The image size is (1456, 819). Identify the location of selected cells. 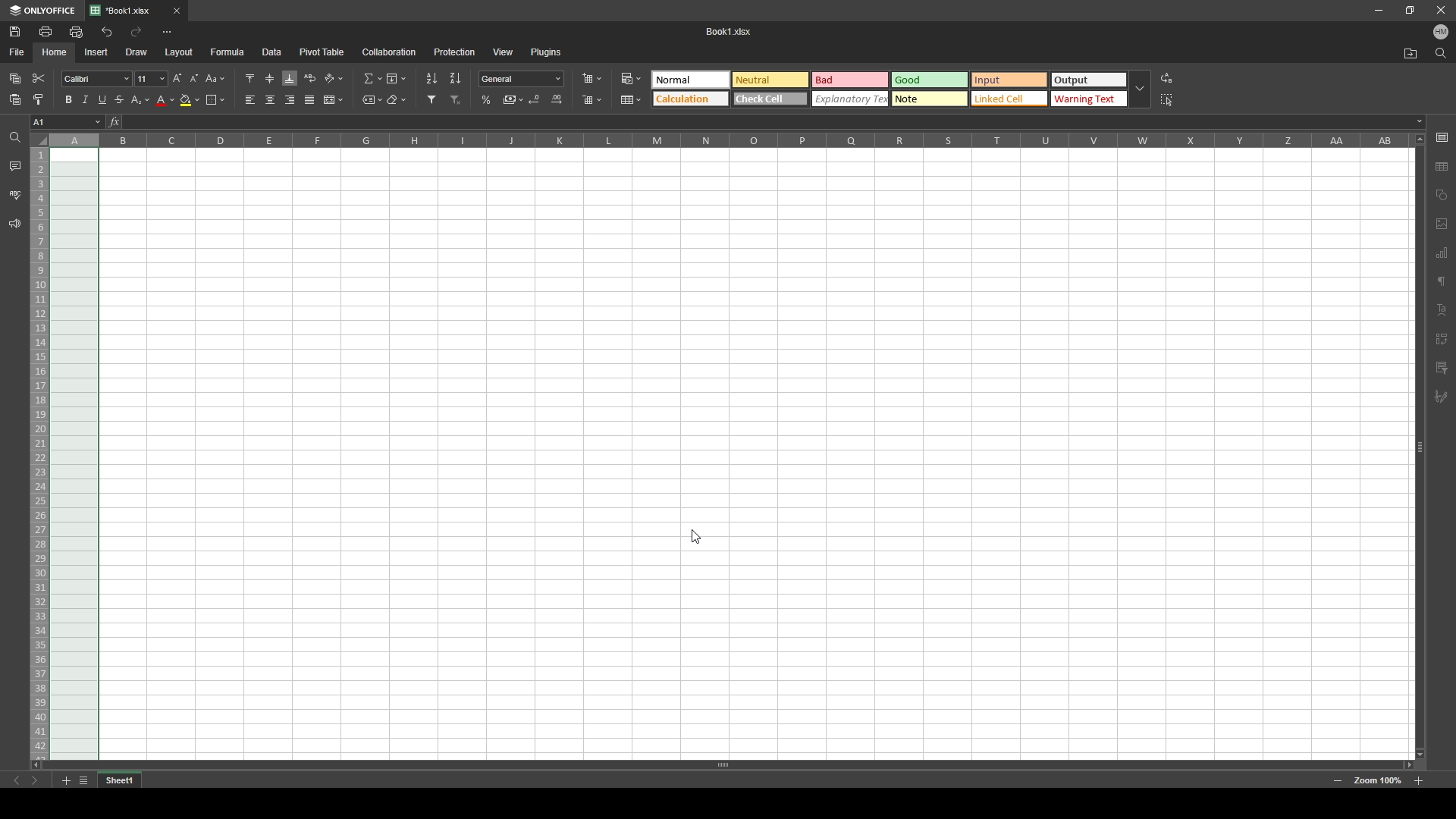
(74, 454).